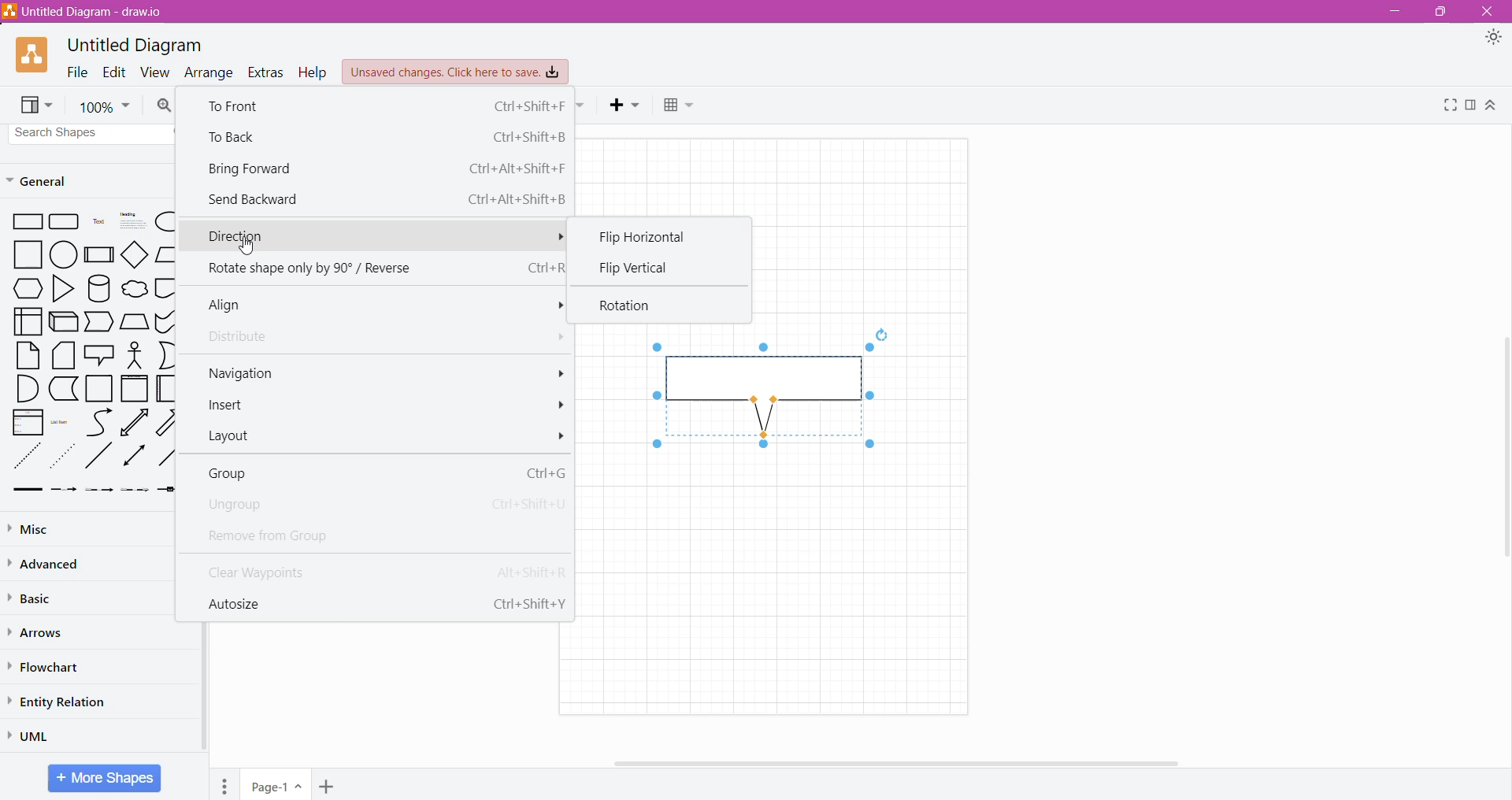 Image resolution: width=1512 pixels, height=800 pixels. I want to click on Navigation, so click(243, 372).